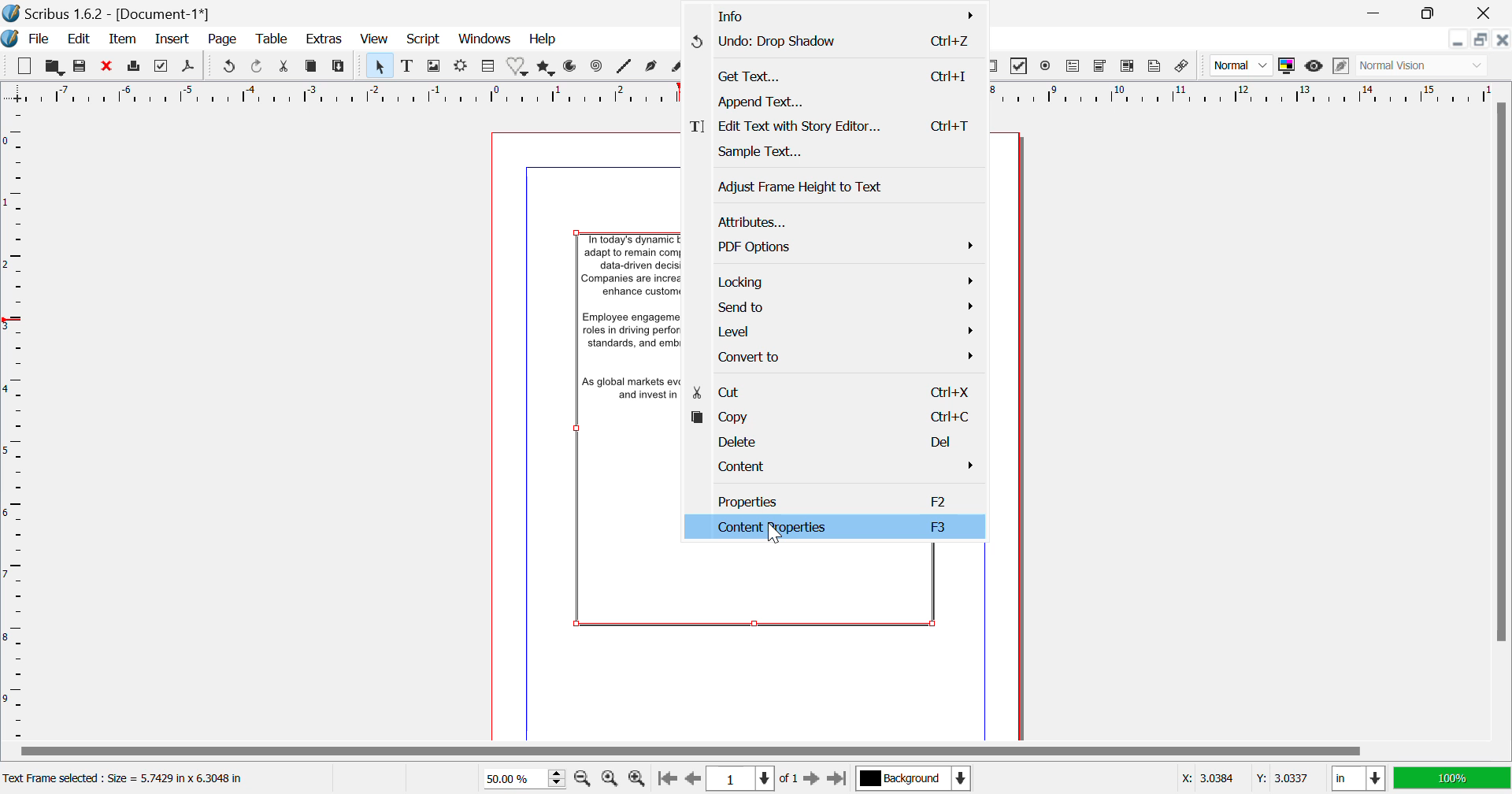 The width and height of the screenshot is (1512, 794). What do you see at coordinates (38, 39) in the screenshot?
I see `File` at bounding box center [38, 39].